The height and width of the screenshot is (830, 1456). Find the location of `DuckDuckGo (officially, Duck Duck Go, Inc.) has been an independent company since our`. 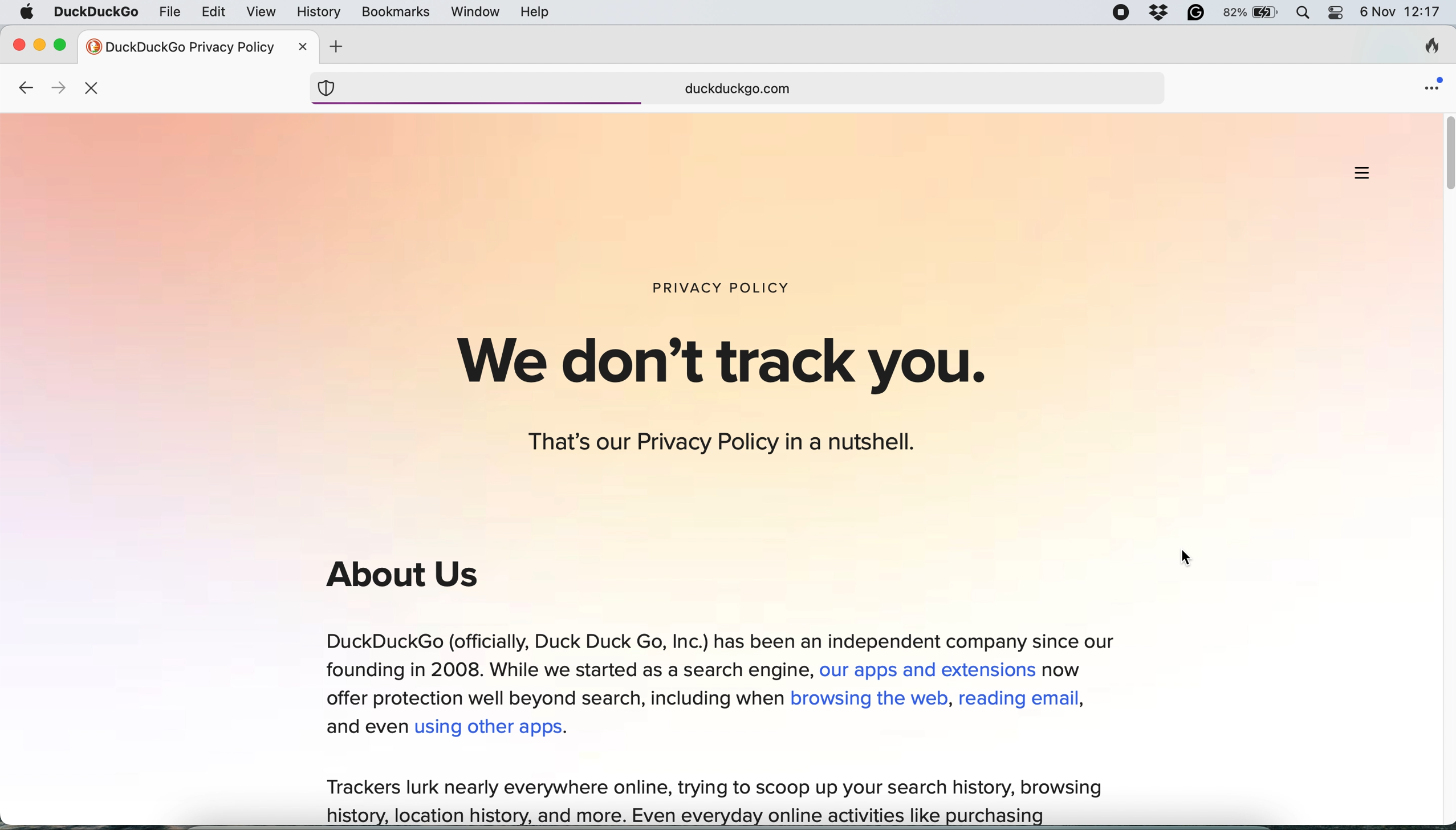

DuckDuckGo (officially, Duck Duck Go, Inc.) has been an independent company since our is located at coordinates (723, 638).